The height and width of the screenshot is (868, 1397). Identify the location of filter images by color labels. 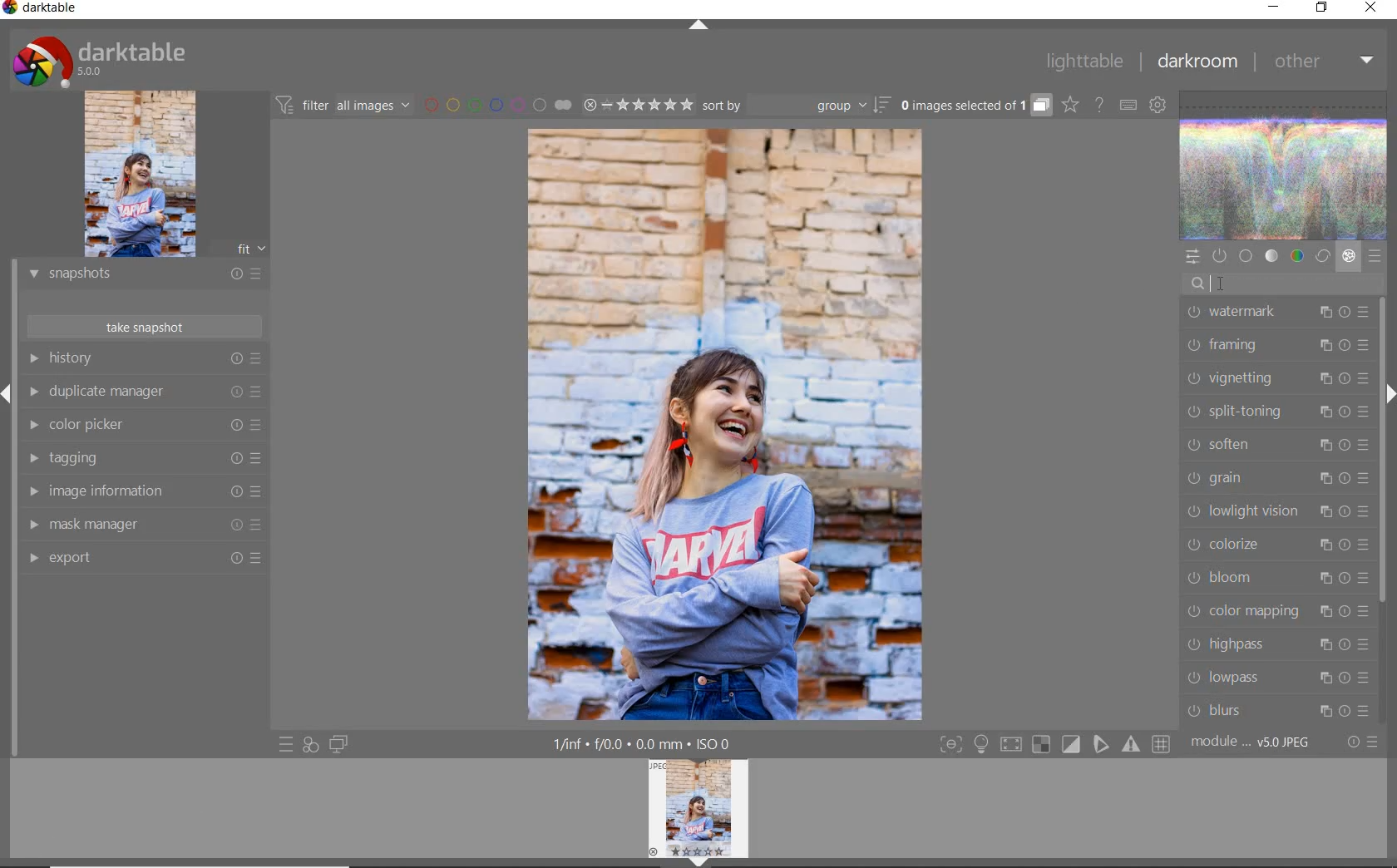
(497, 106).